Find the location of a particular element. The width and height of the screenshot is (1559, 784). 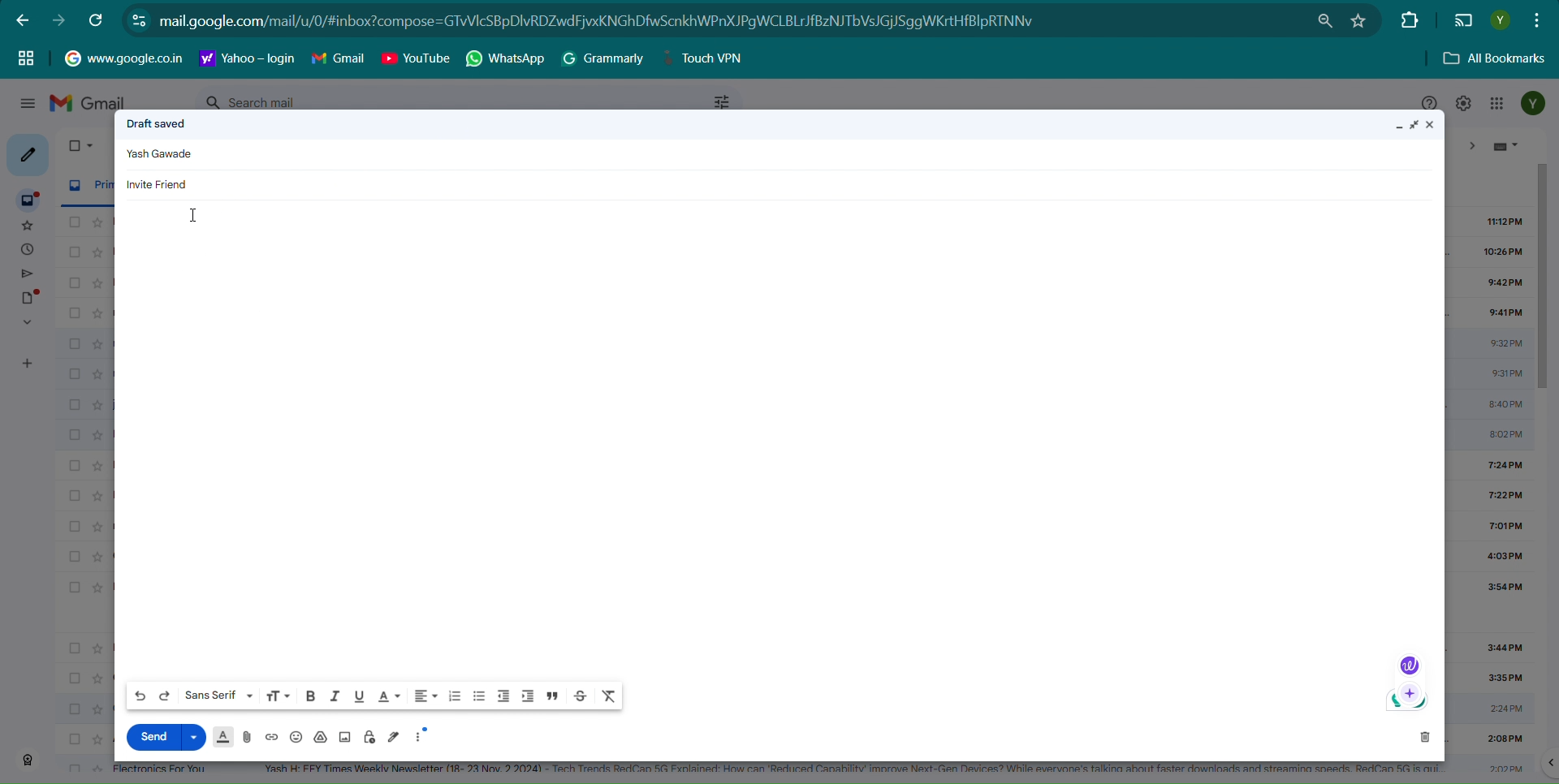

Profile is located at coordinates (1500, 20).